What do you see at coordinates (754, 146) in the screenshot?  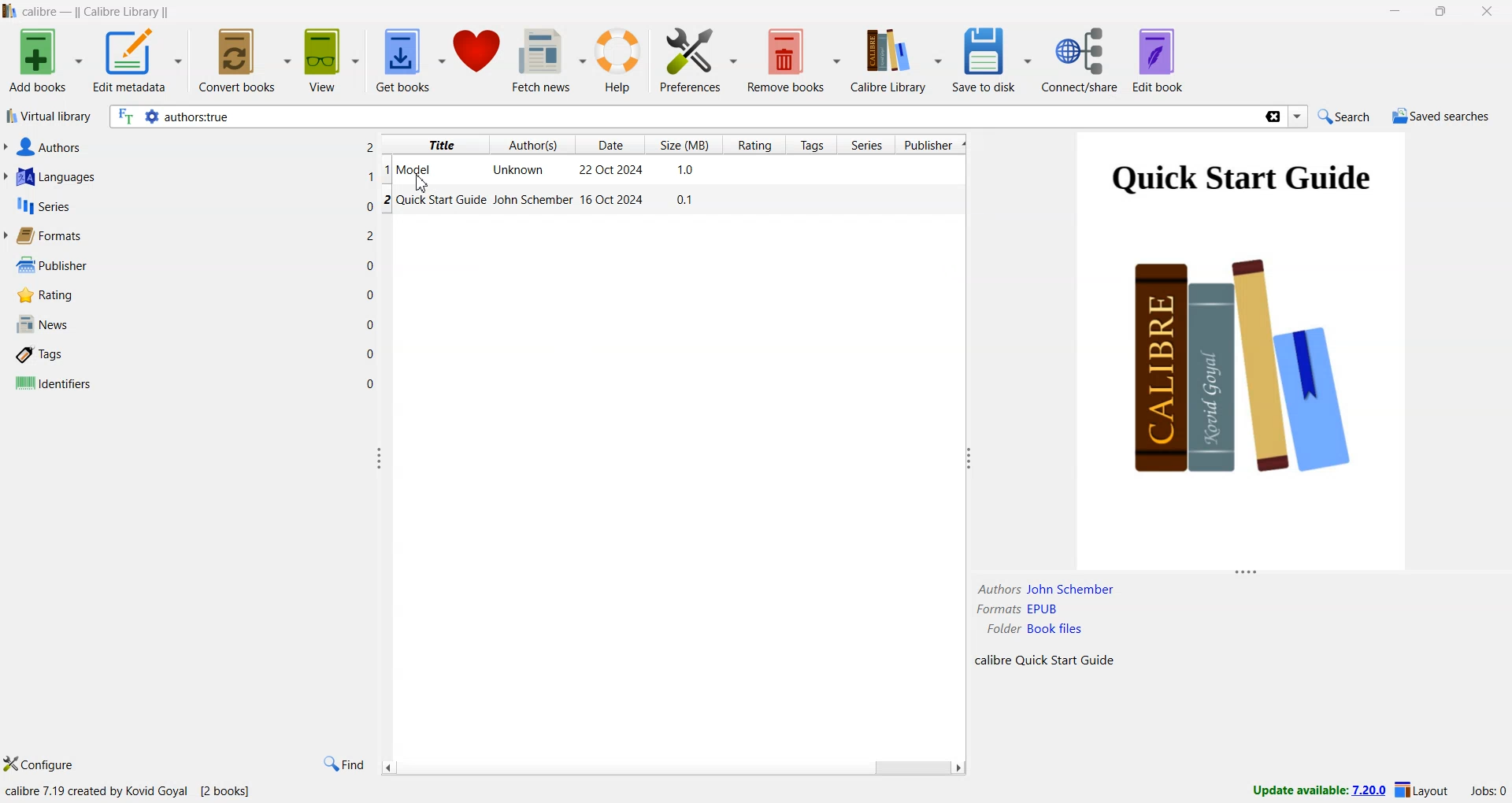 I see `rating` at bounding box center [754, 146].